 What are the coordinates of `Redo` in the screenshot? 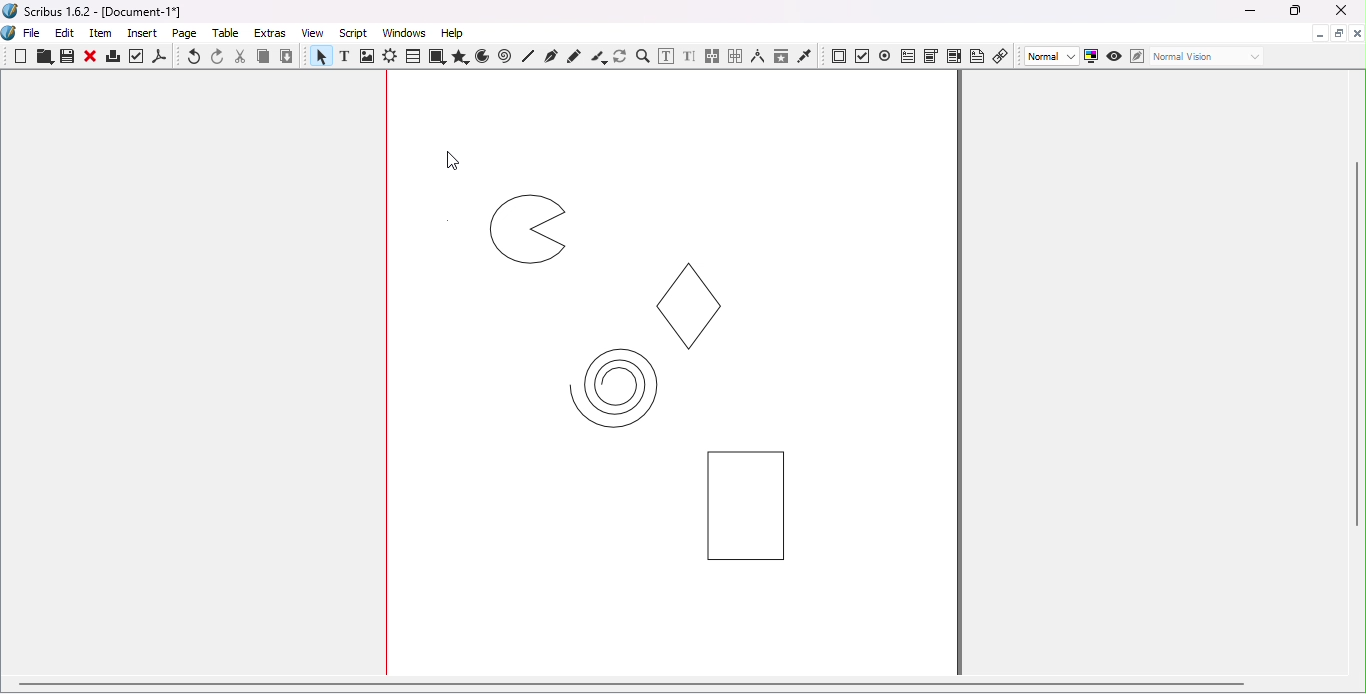 It's located at (219, 57).